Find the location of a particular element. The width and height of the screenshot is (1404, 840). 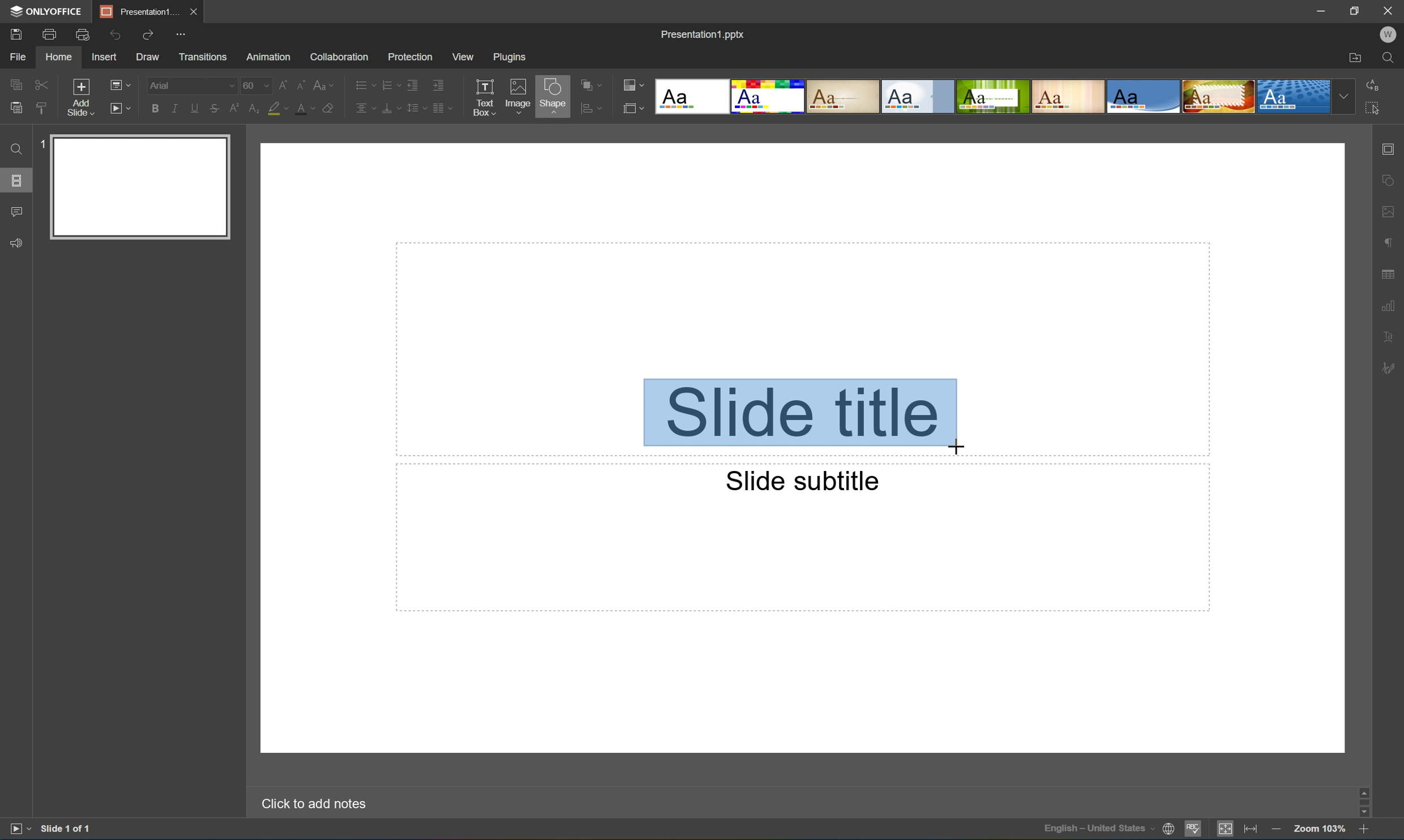

Protection is located at coordinates (409, 56).